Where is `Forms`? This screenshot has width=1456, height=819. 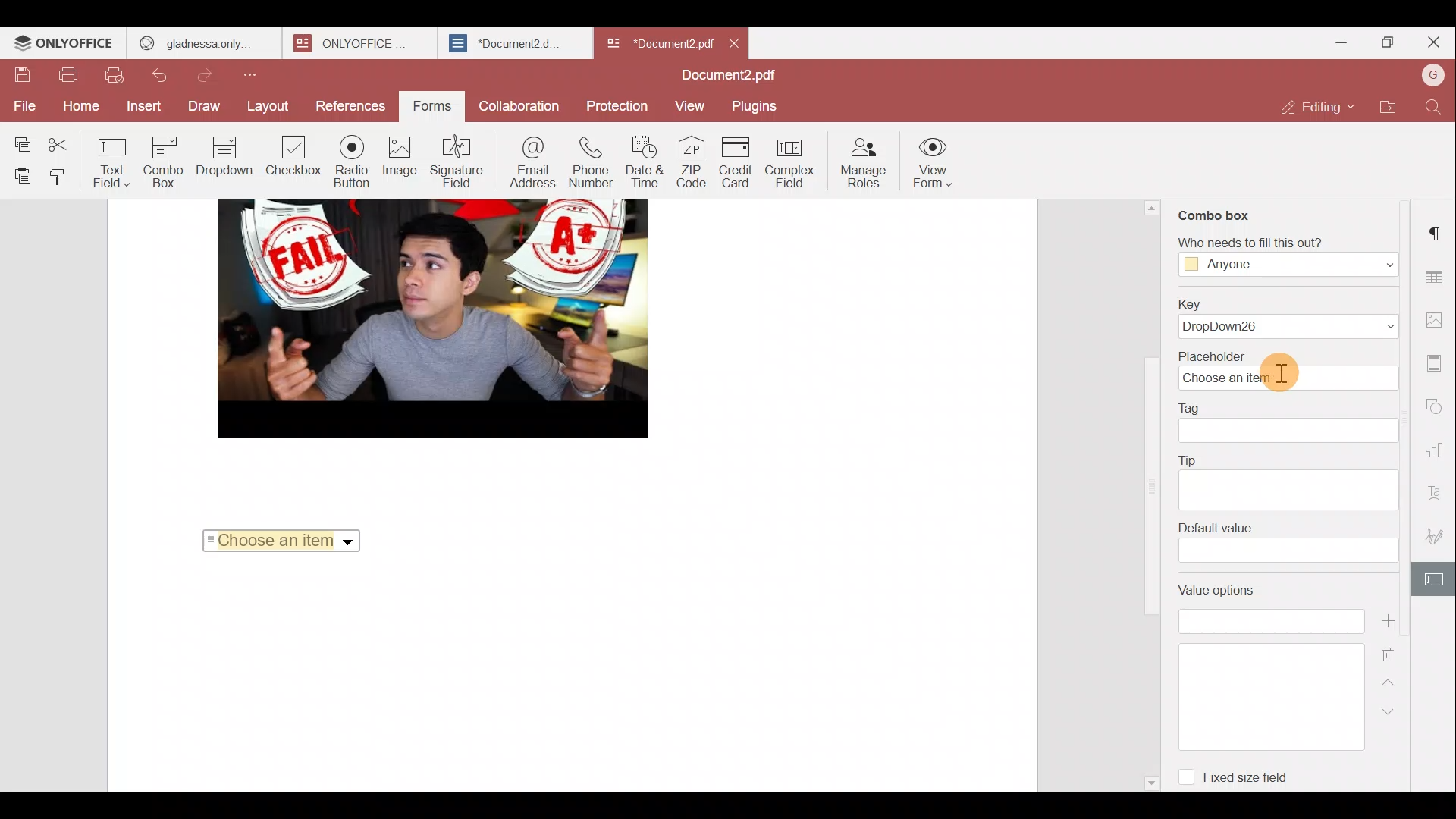
Forms is located at coordinates (427, 107).